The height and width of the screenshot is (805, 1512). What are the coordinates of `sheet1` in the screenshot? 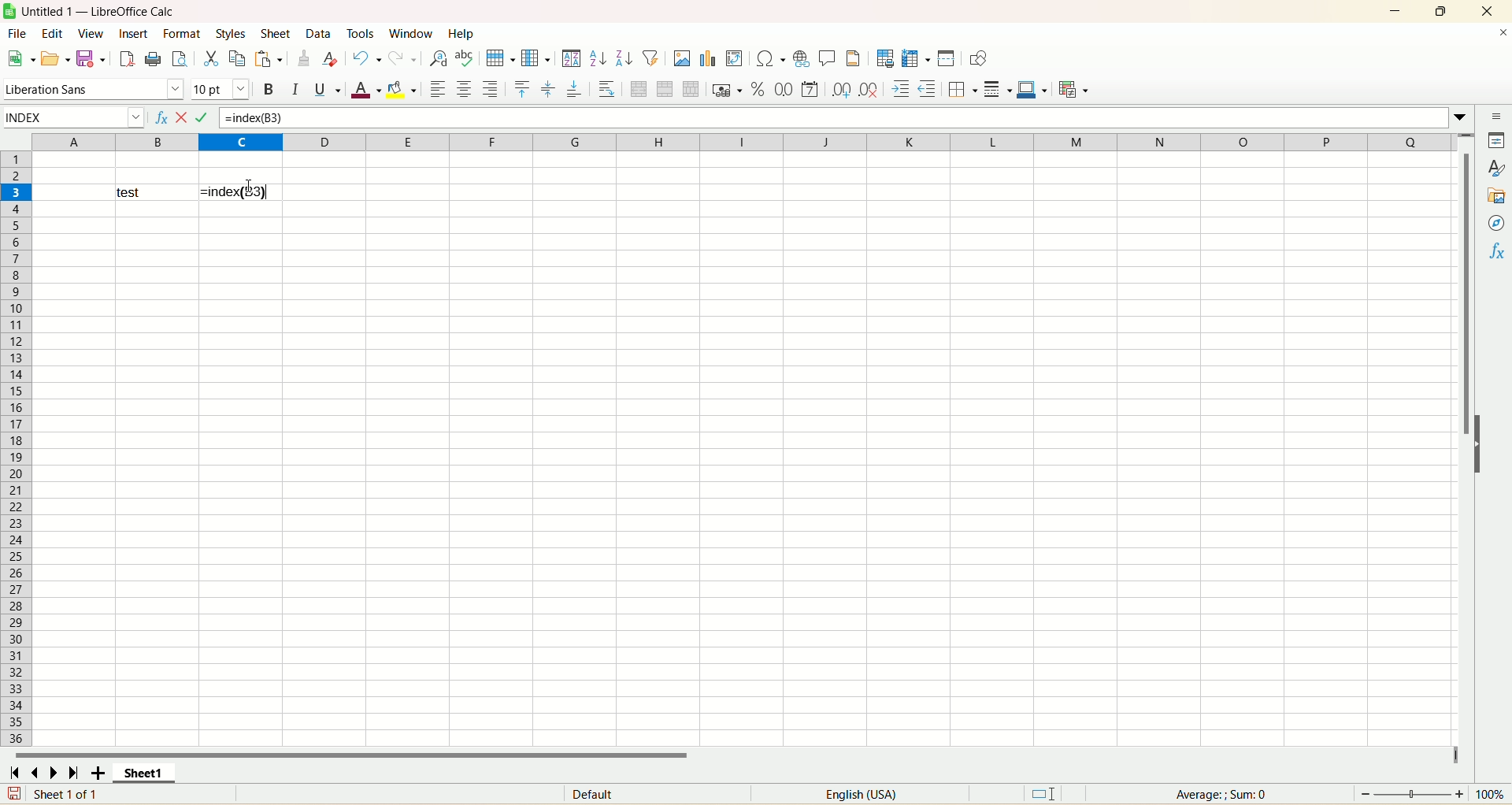 It's located at (144, 772).